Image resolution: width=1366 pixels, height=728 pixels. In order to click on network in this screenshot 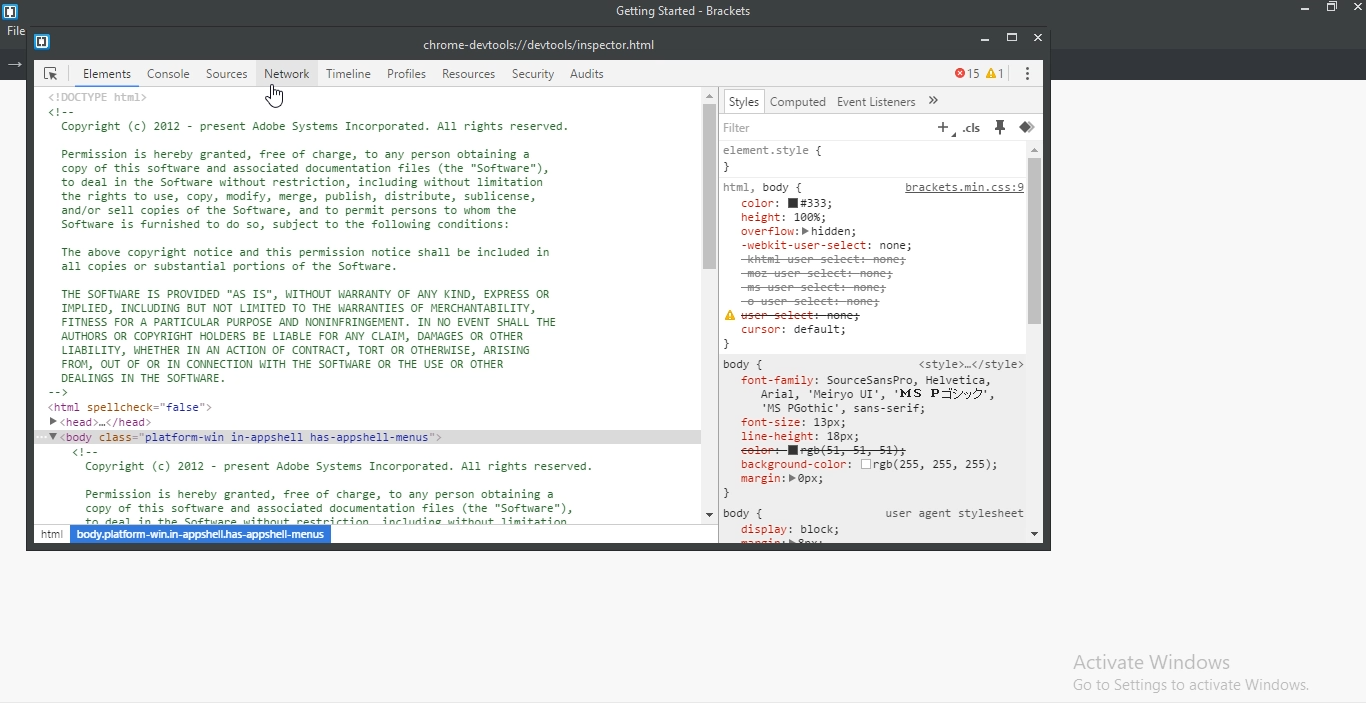, I will do `click(293, 74)`.